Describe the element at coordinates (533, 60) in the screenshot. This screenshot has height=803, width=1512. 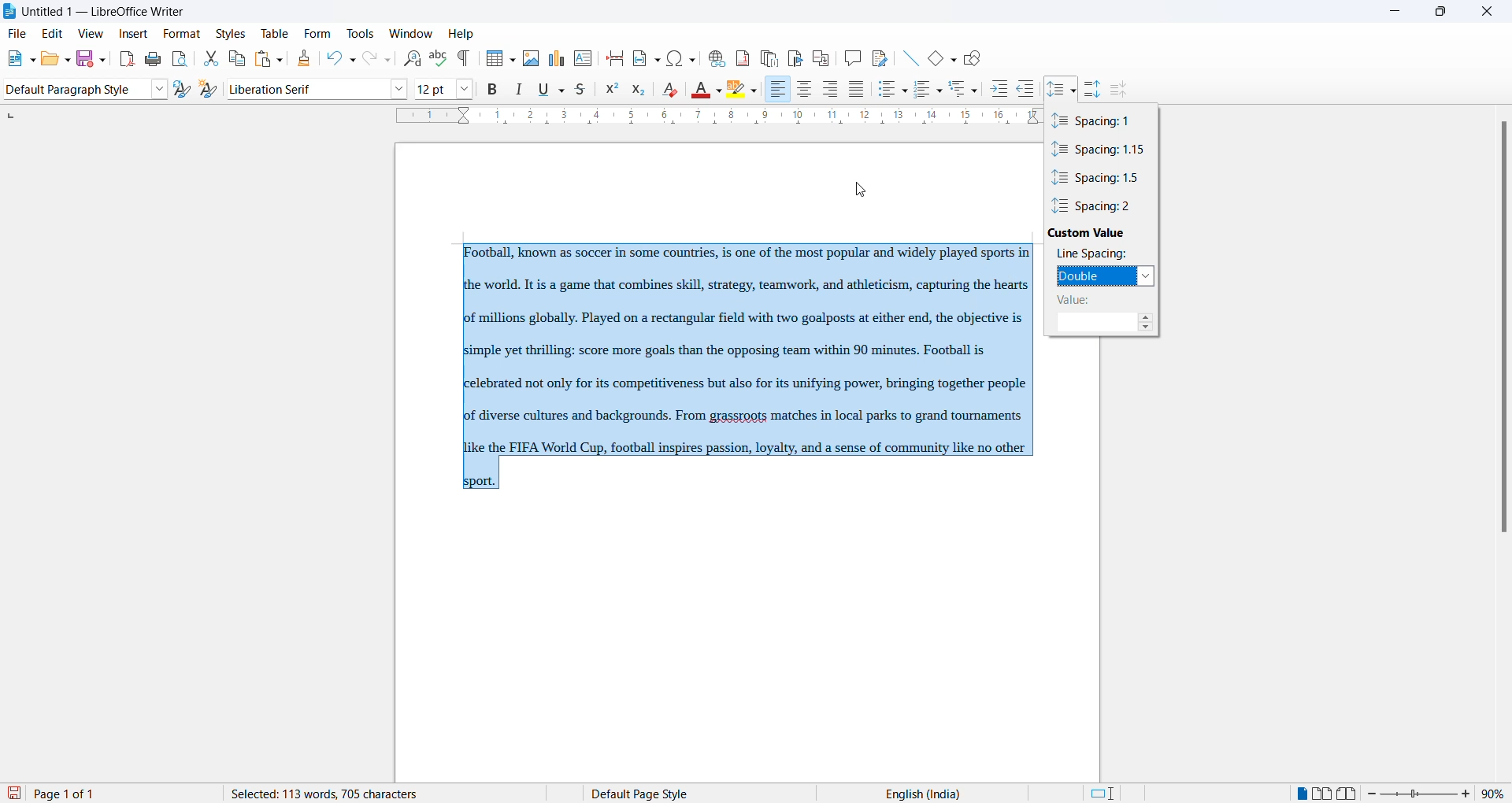
I see `insert images` at that location.